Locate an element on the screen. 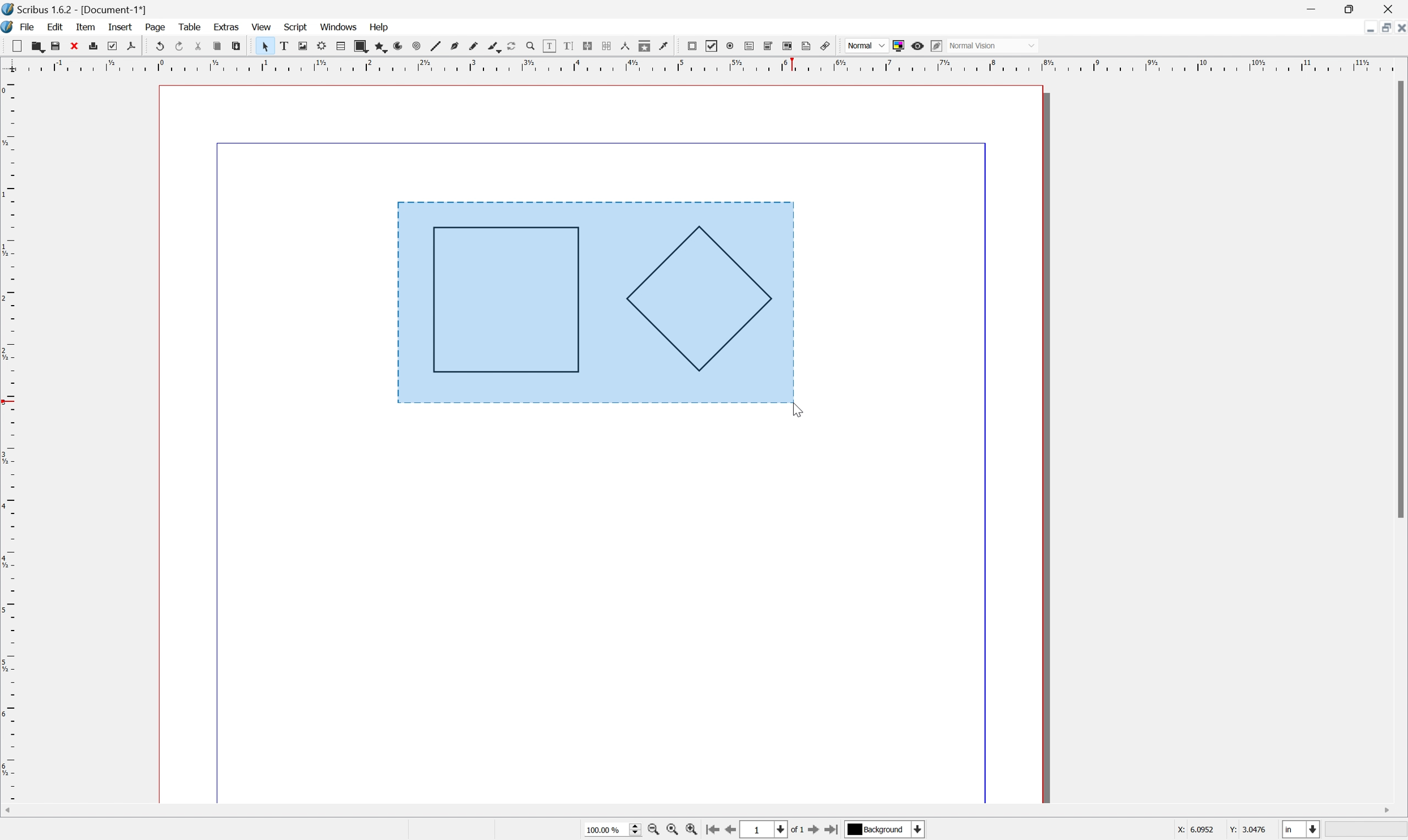 Image resolution: width=1408 pixels, height=840 pixels. edit is located at coordinates (57, 27).